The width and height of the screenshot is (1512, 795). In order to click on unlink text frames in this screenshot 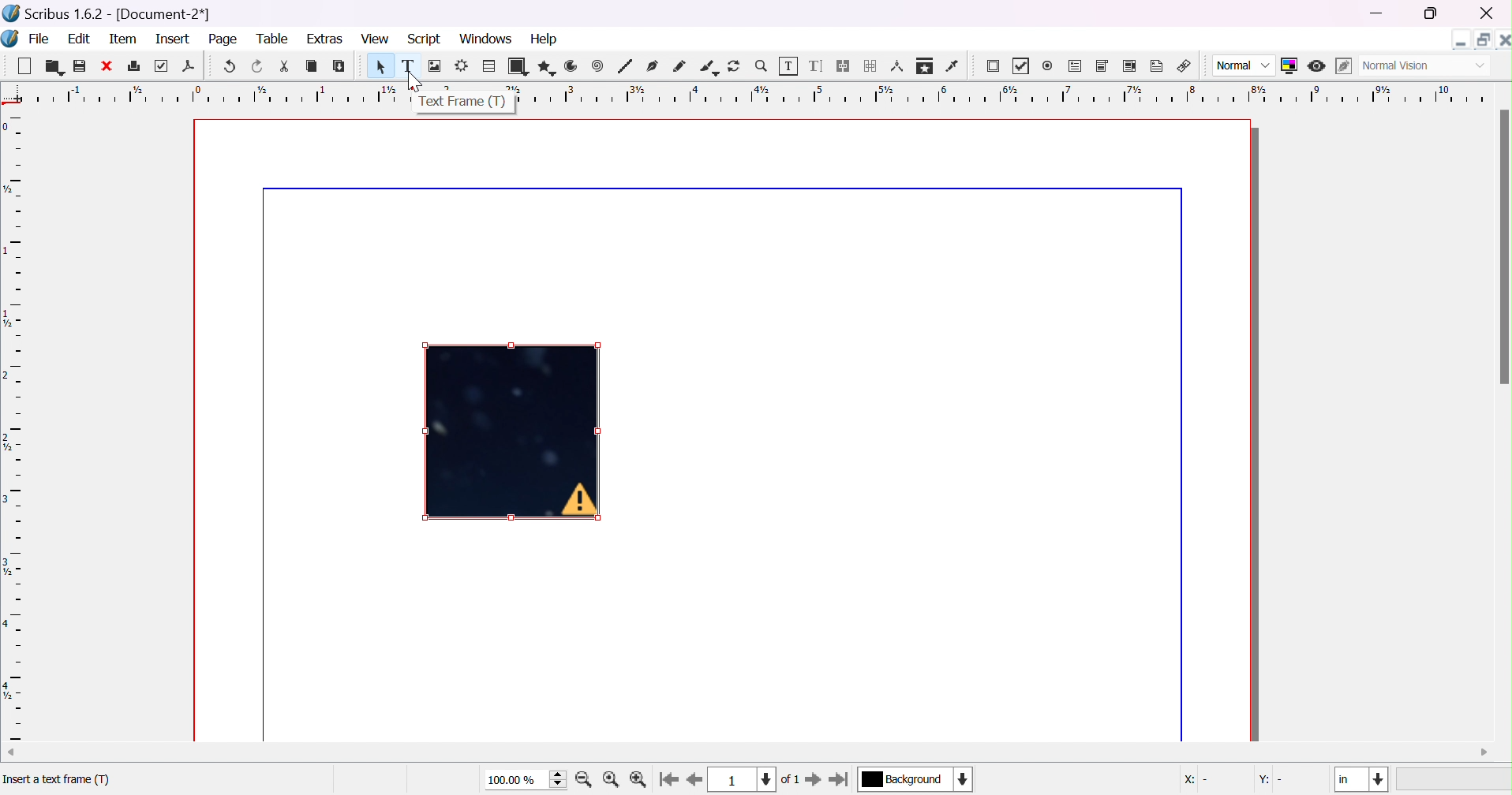, I will do `click(871, 65)`.